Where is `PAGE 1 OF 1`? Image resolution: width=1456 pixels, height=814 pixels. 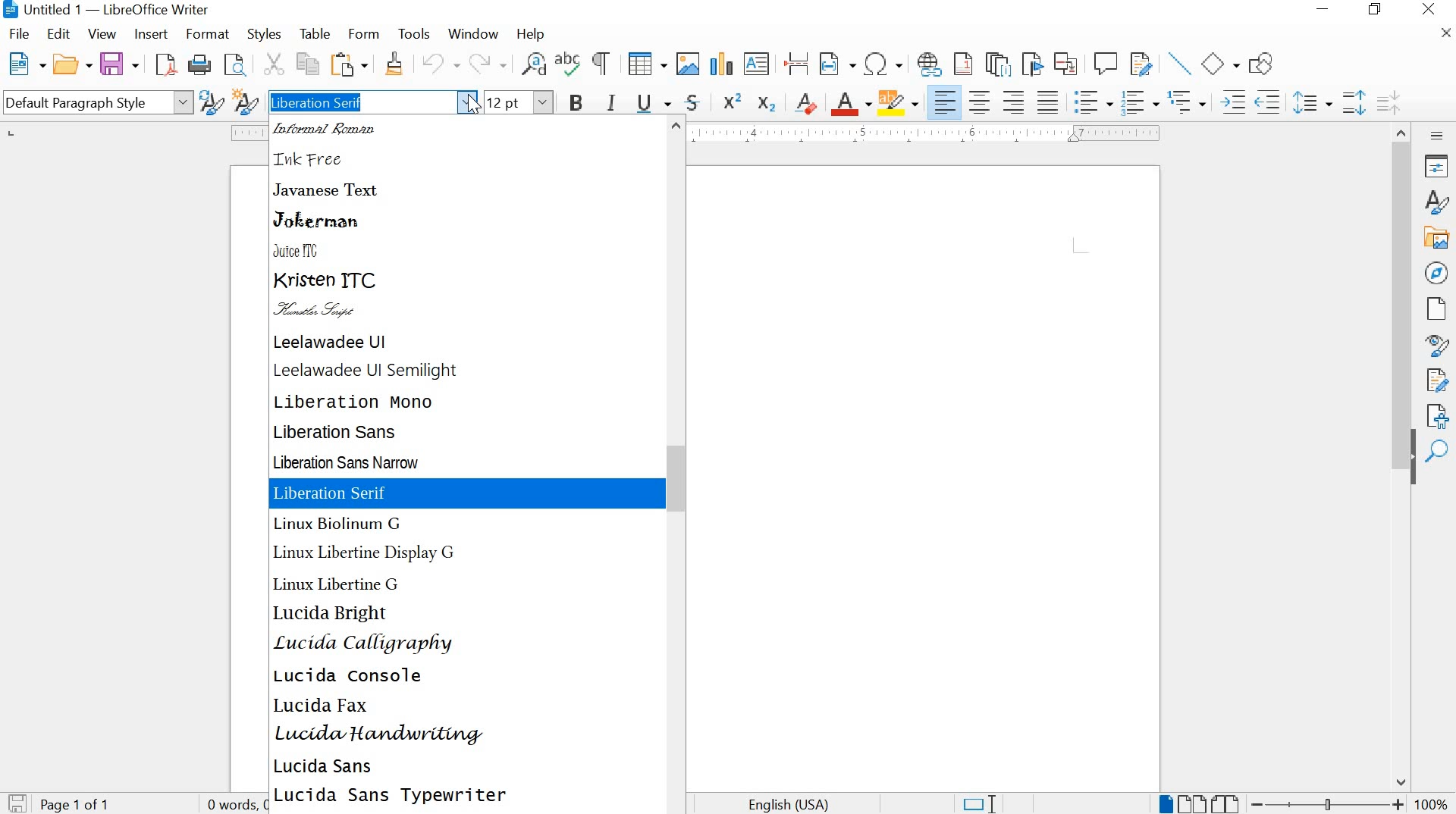
PAGE 1 OF 1 is located at coordinates (79, 805).